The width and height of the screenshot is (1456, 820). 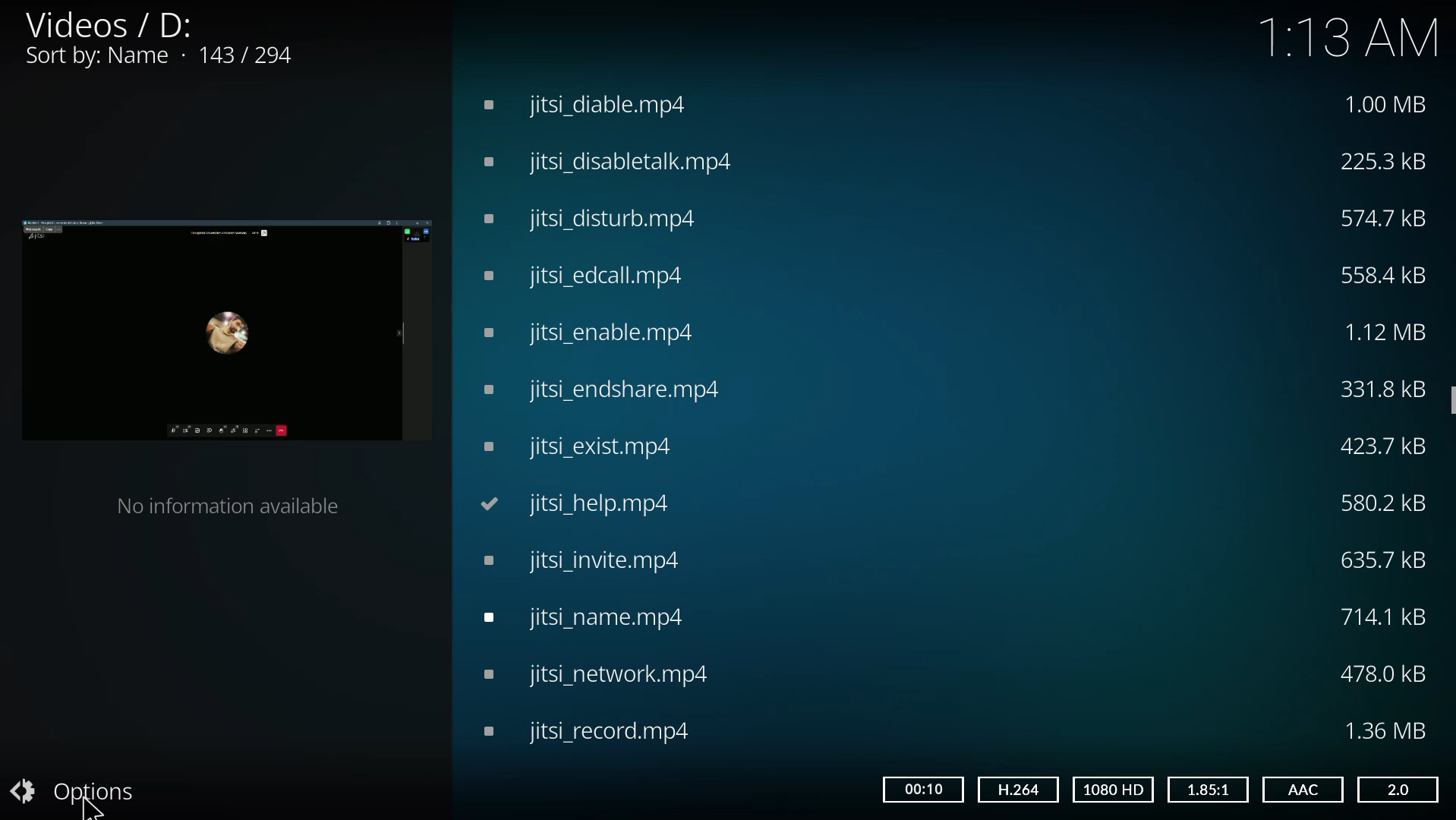 I want to click on size, so click(x=1388, y=502).